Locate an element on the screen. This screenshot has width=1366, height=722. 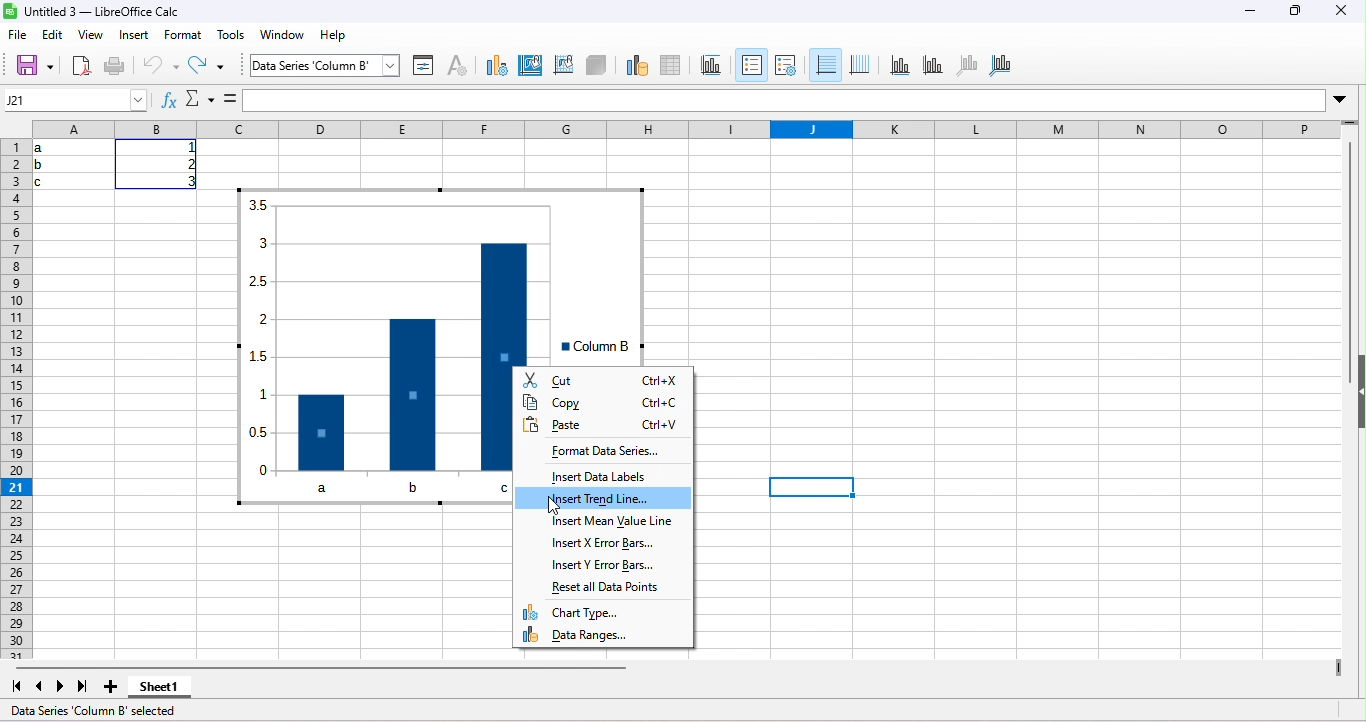
copy is located at coordinates (607, 403).